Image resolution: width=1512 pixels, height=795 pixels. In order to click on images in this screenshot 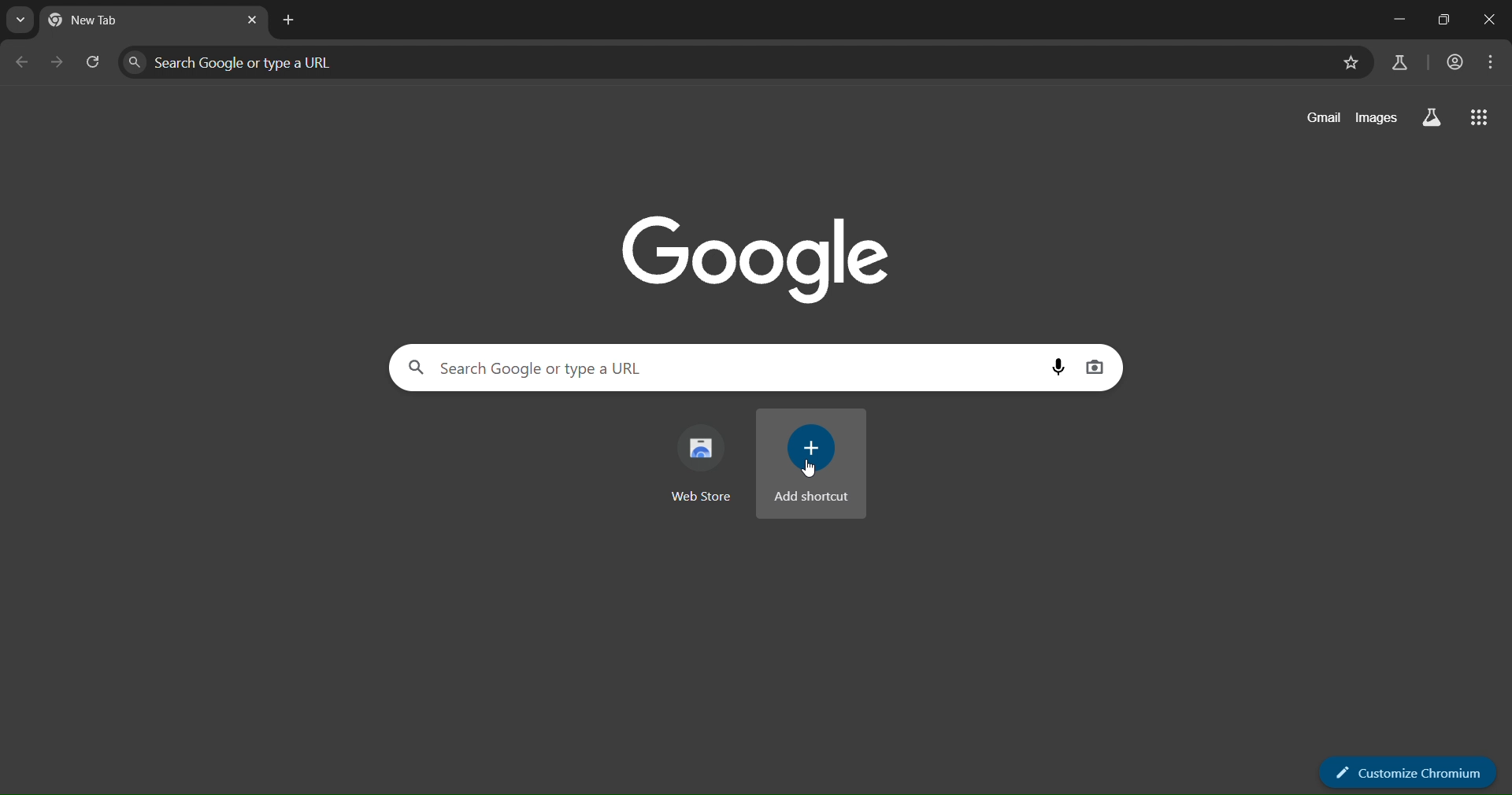, I will do `click(1377, 115)`.